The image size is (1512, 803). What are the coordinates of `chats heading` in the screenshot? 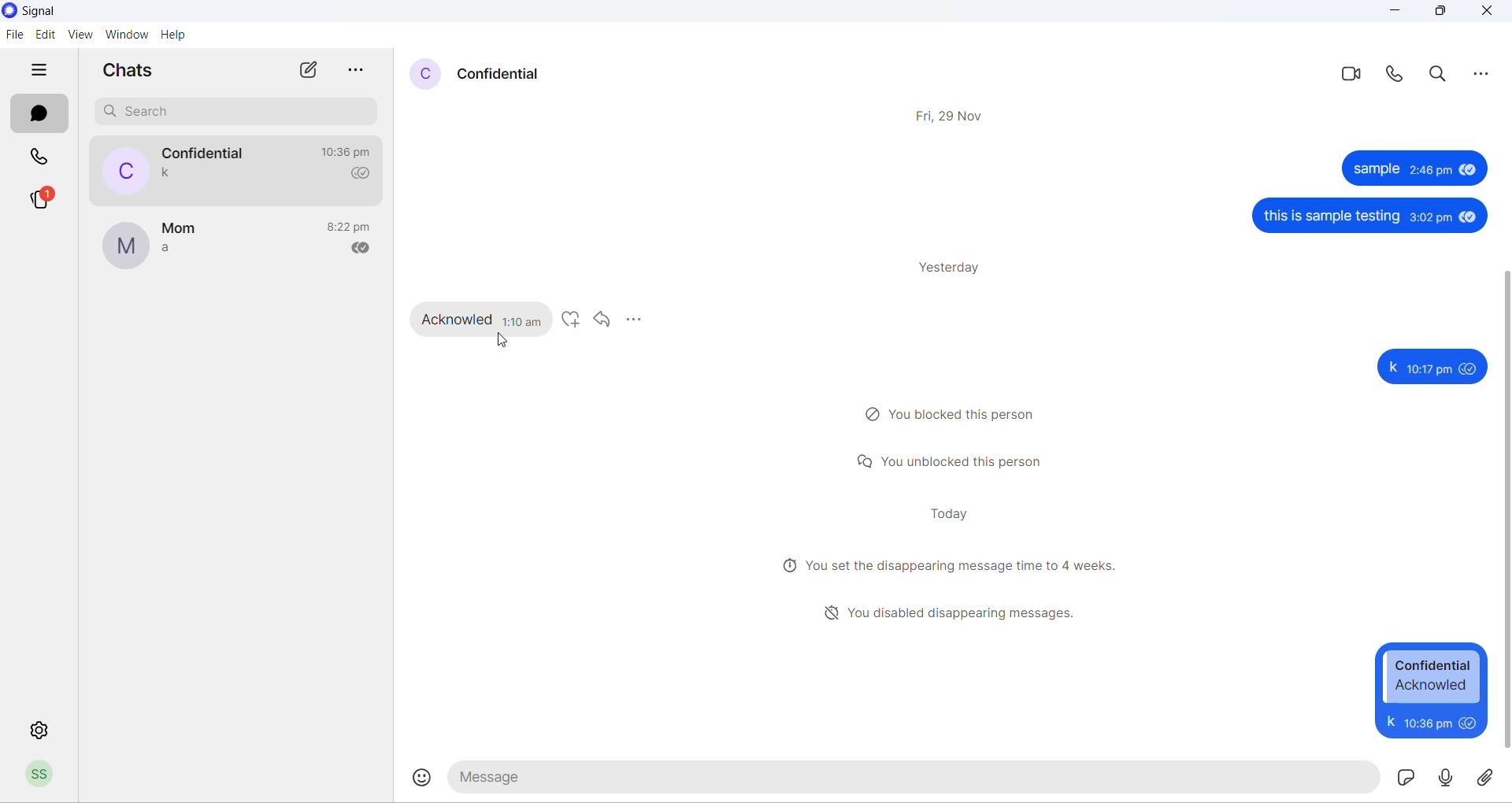 It's located at (135, 73).